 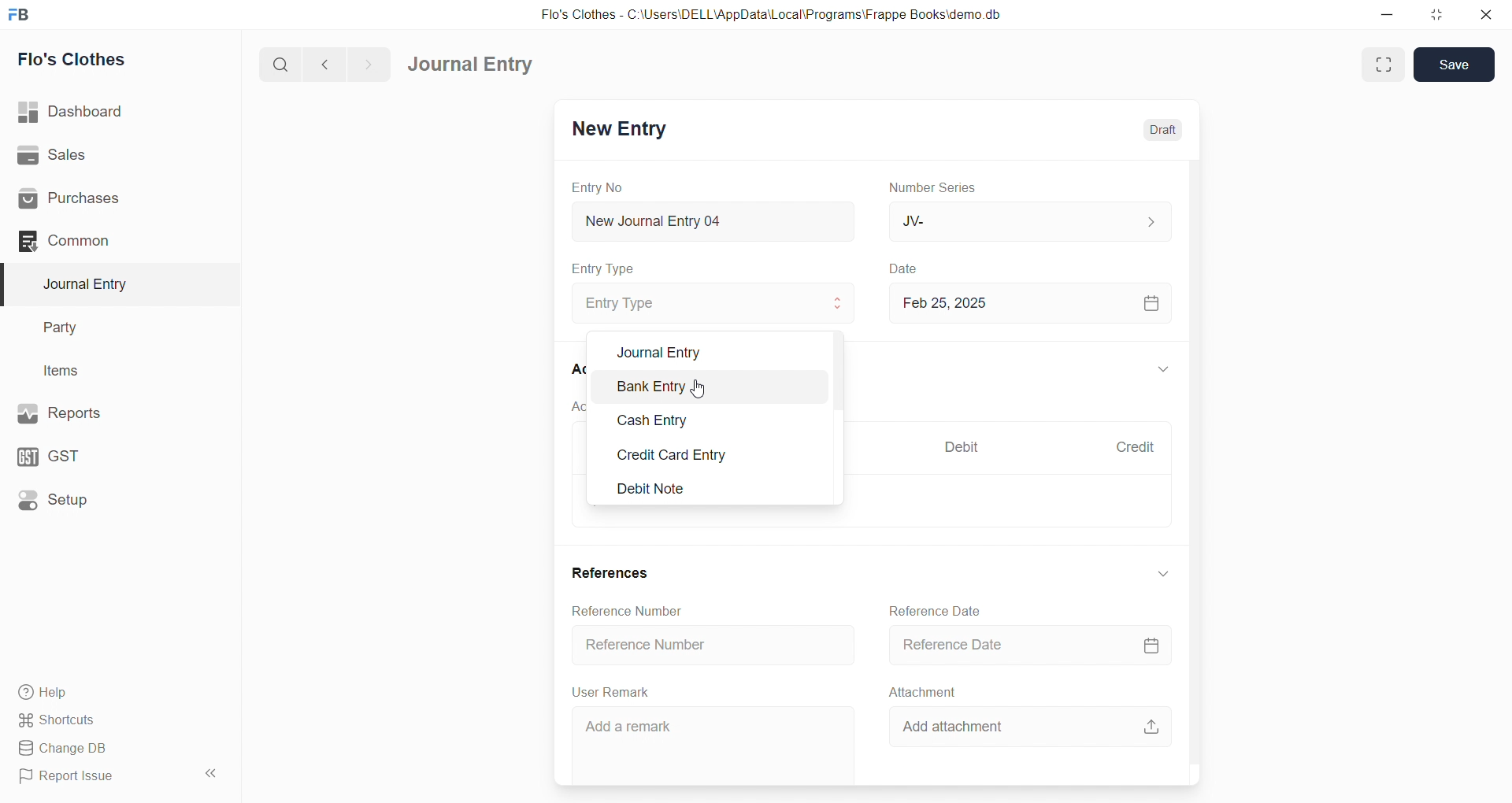 I want to click on Report Issue, so click(x=98, y=776).